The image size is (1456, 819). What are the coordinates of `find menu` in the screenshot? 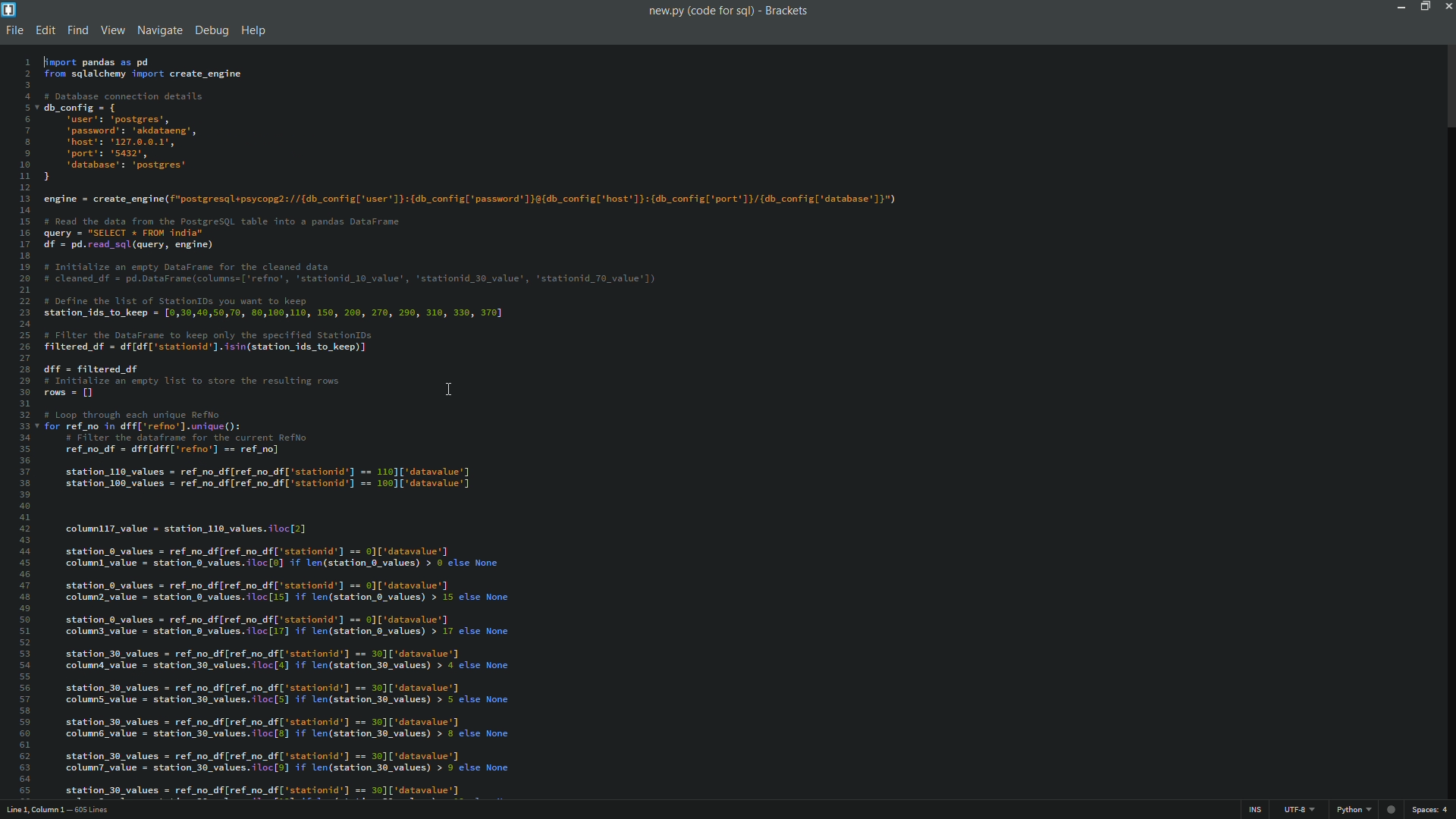 It's located at (75, 30).